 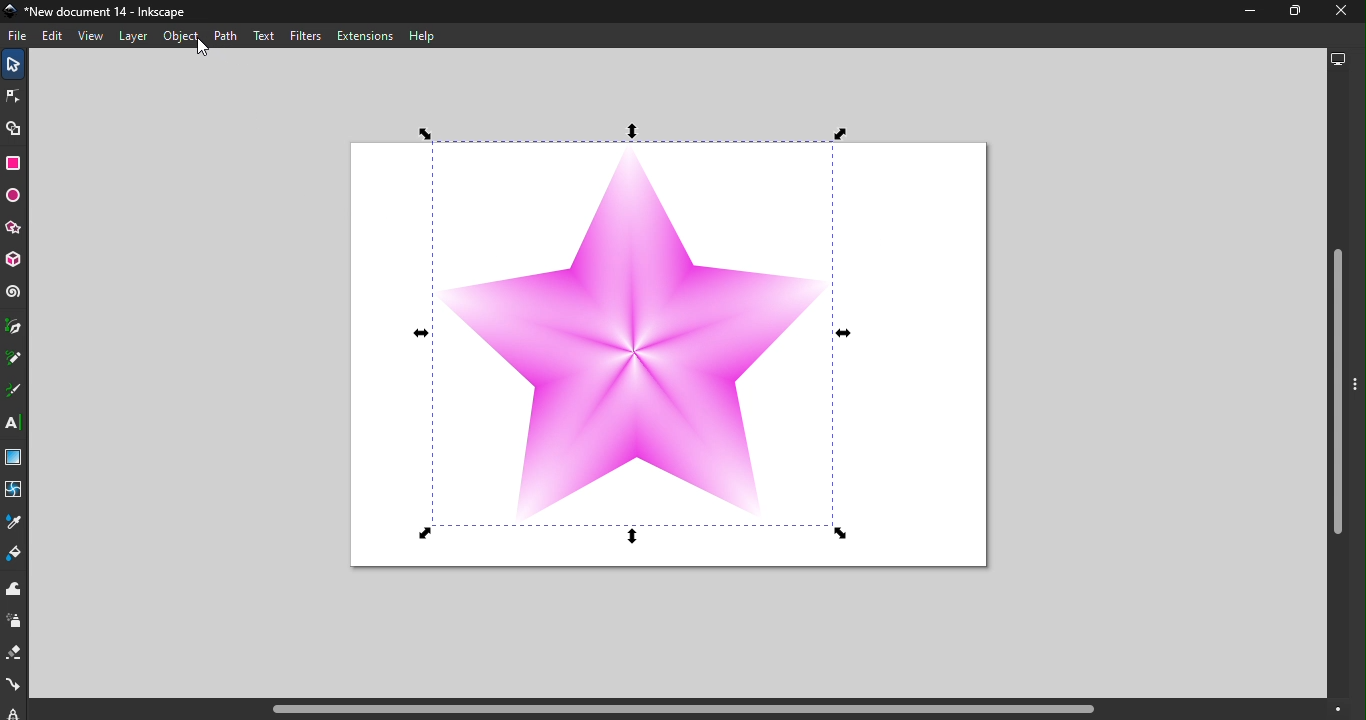 I want to click on Selector tool, so click(x=10, y=66).